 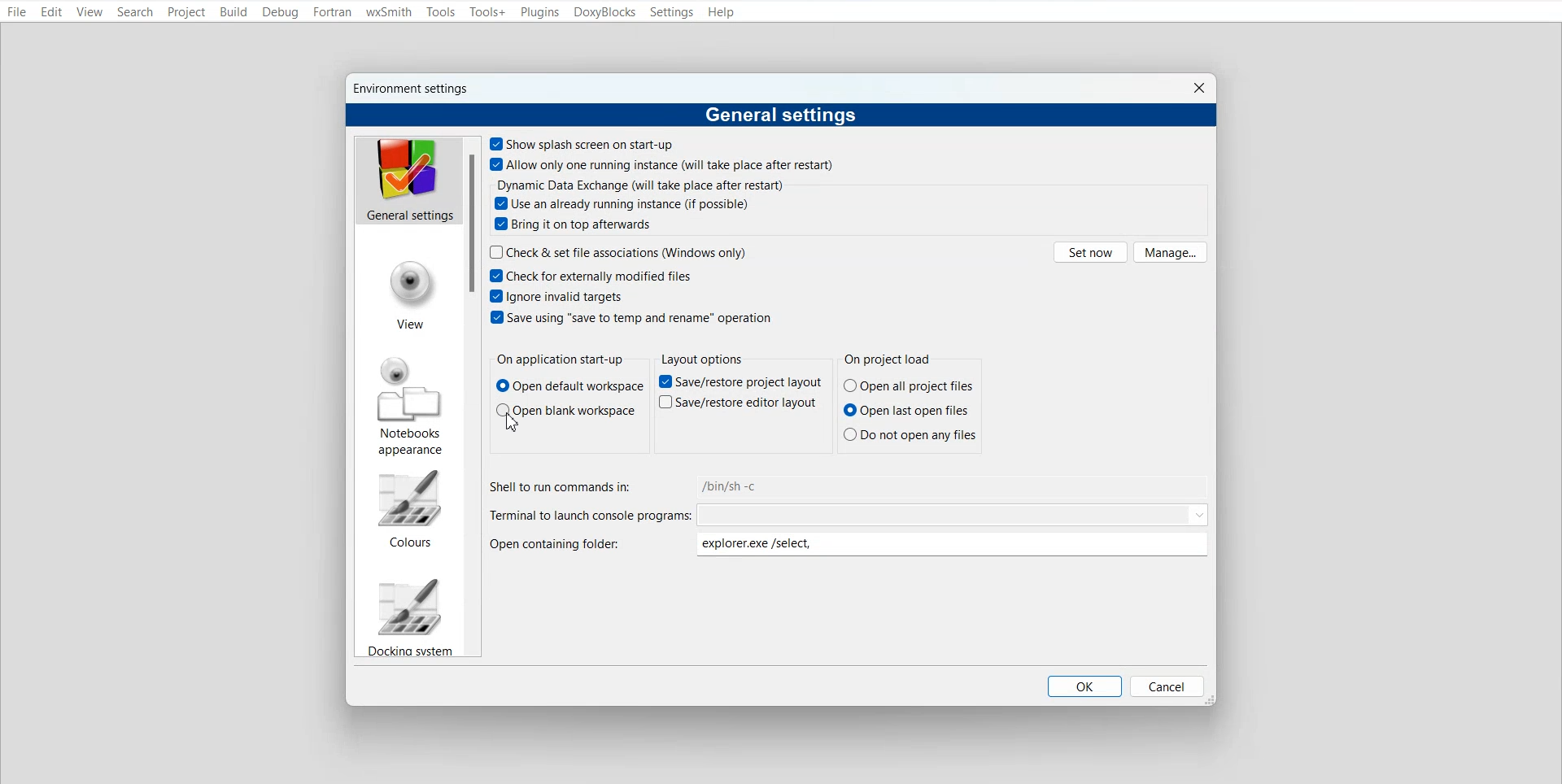 I want to click on Cursor, so click(x=517, y=427).